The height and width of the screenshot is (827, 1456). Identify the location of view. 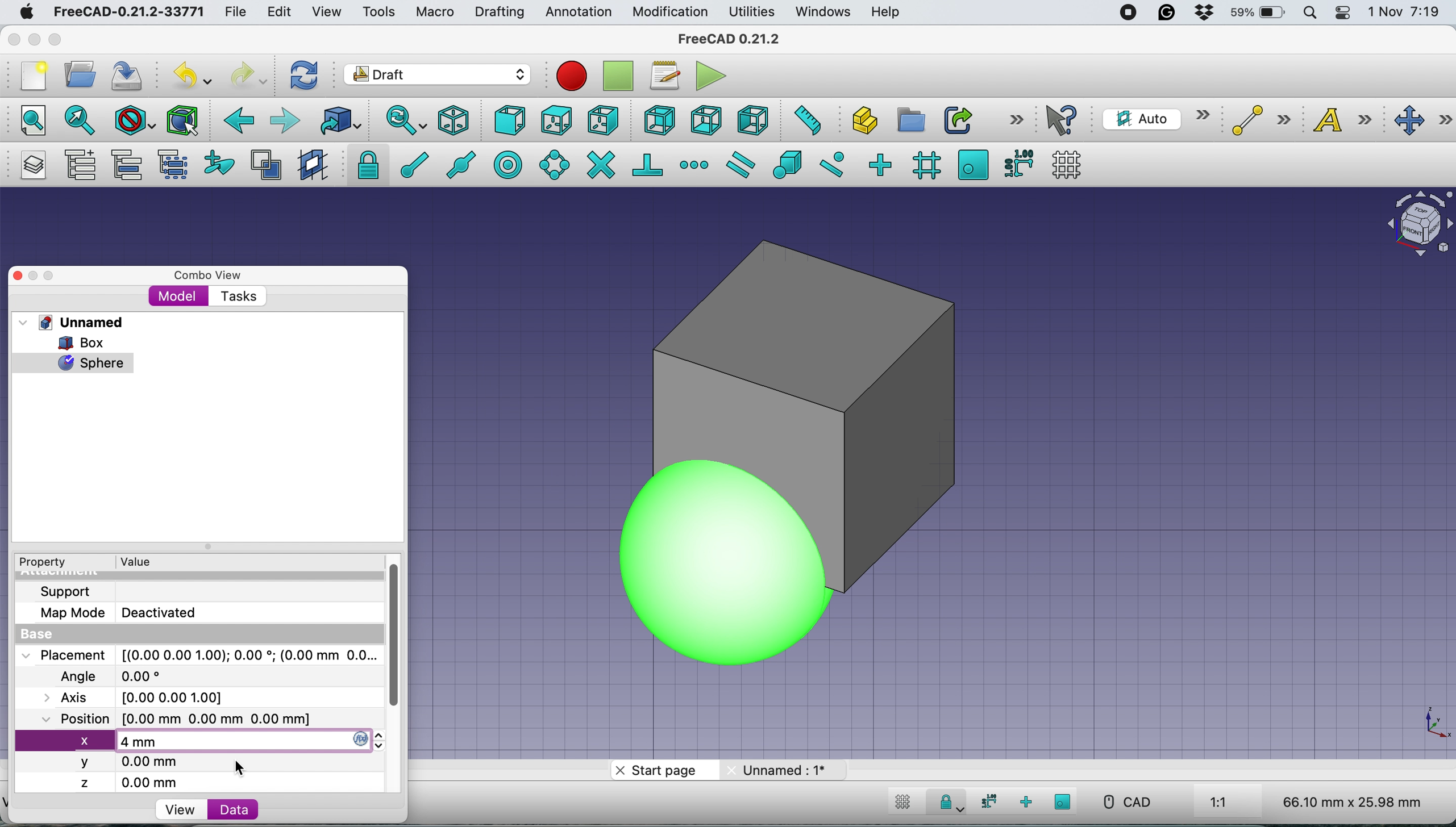
(180, 810).